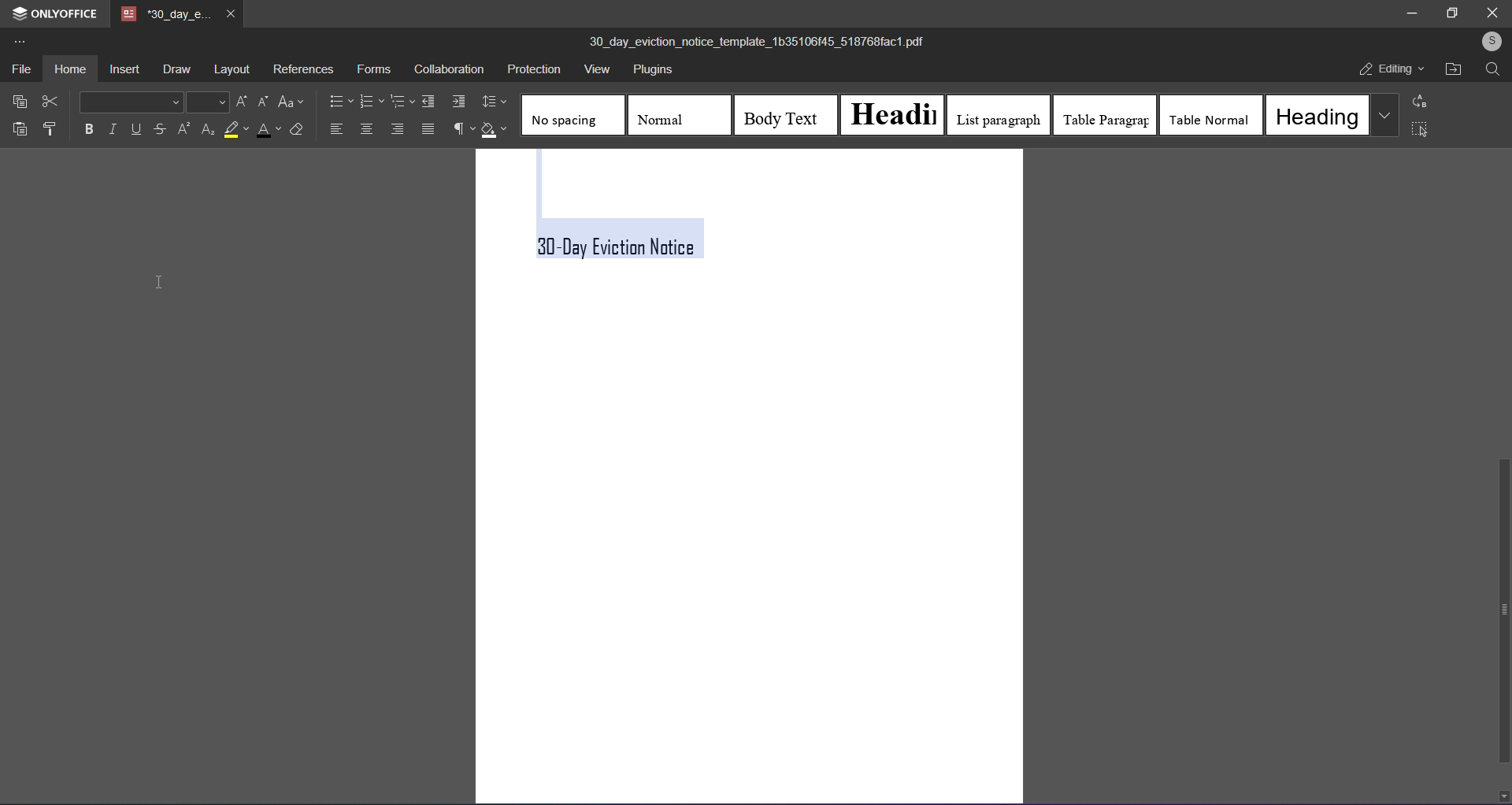 The width and height of the screenshot is (1512, 805). Describe the element at coordinates (496, 131) in the screenshot. I see `shading` at that location.